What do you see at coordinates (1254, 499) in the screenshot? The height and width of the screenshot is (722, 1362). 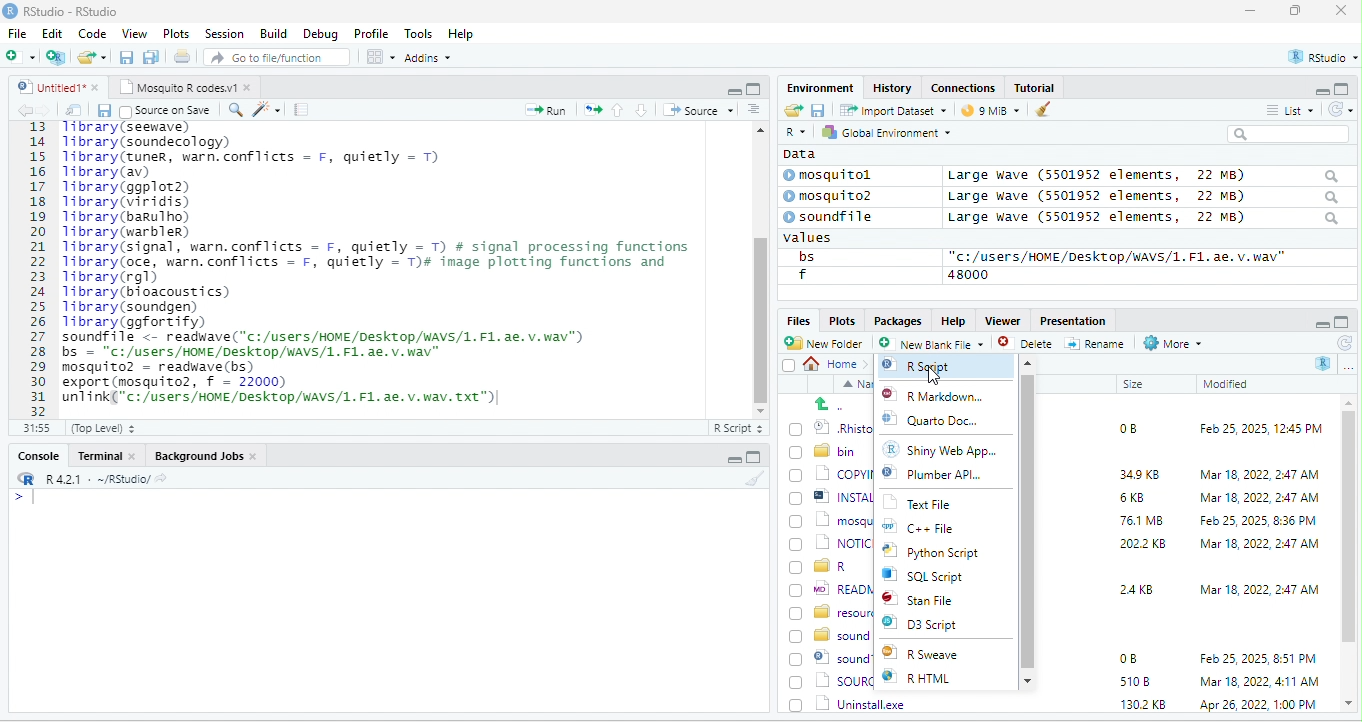 I see `Mar 18, 2022, 2:47 AM` at bounding box center [1254, 499].